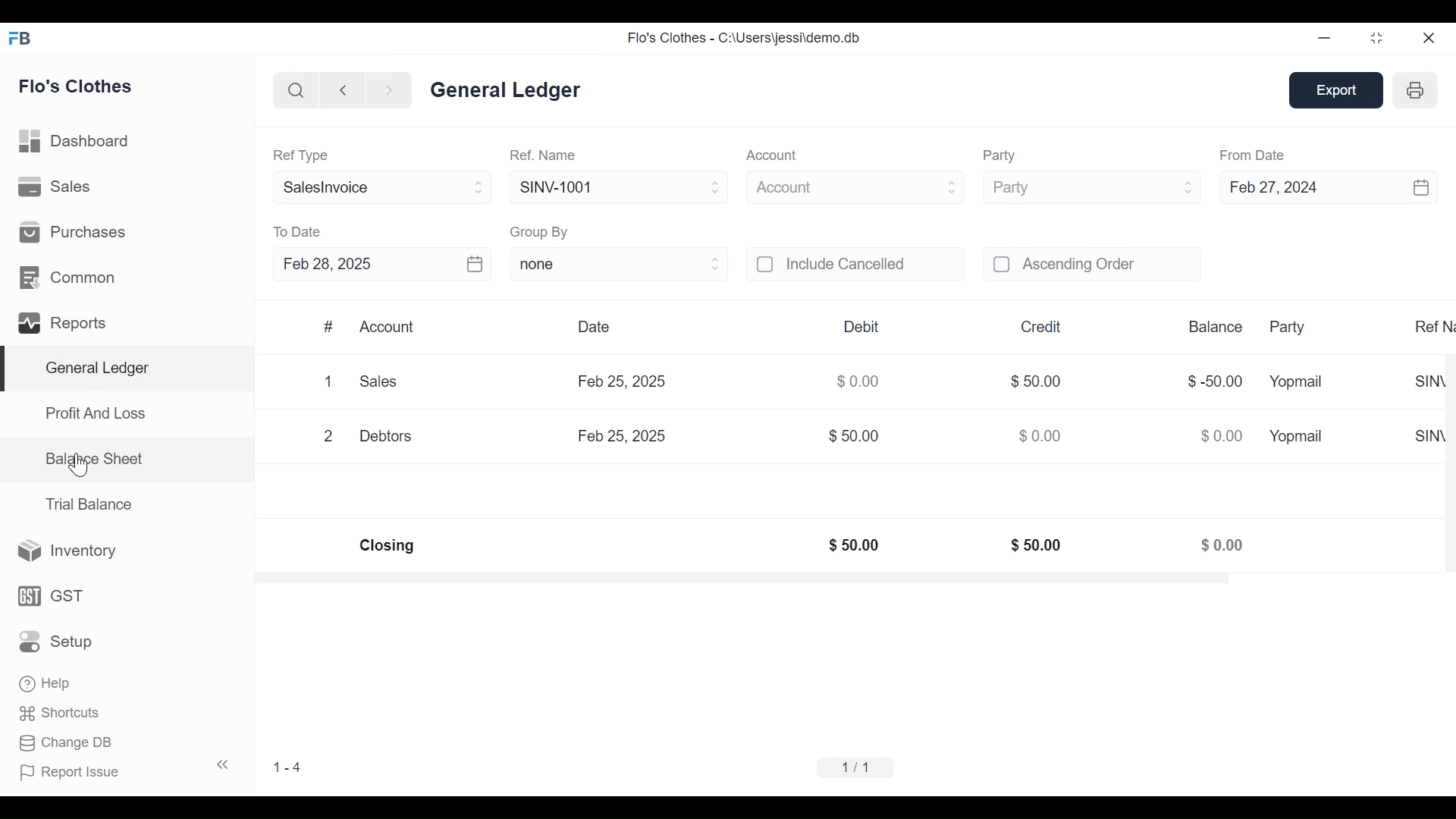 The height and width of the screenshot is (819, 1456). What do you see at coordinates (71, 278) in the screenshot?
I see `common` at bounding box center [71, 278].